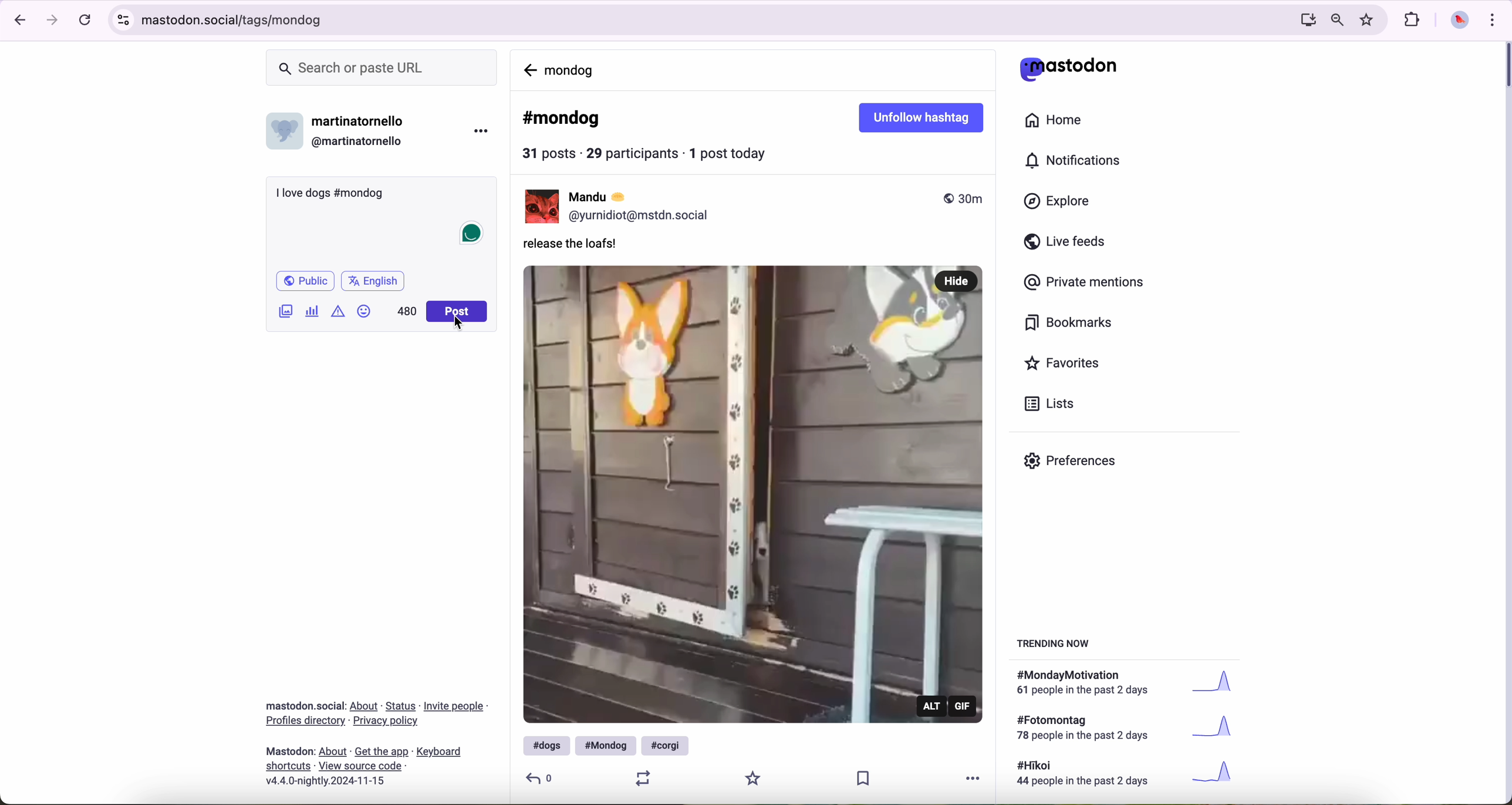 The width and height of the screenshot is (1512, 805). What do you see at coordinates (562, 119) in the screenshot?
I see `#mondog` at bounding box center [562, 119].